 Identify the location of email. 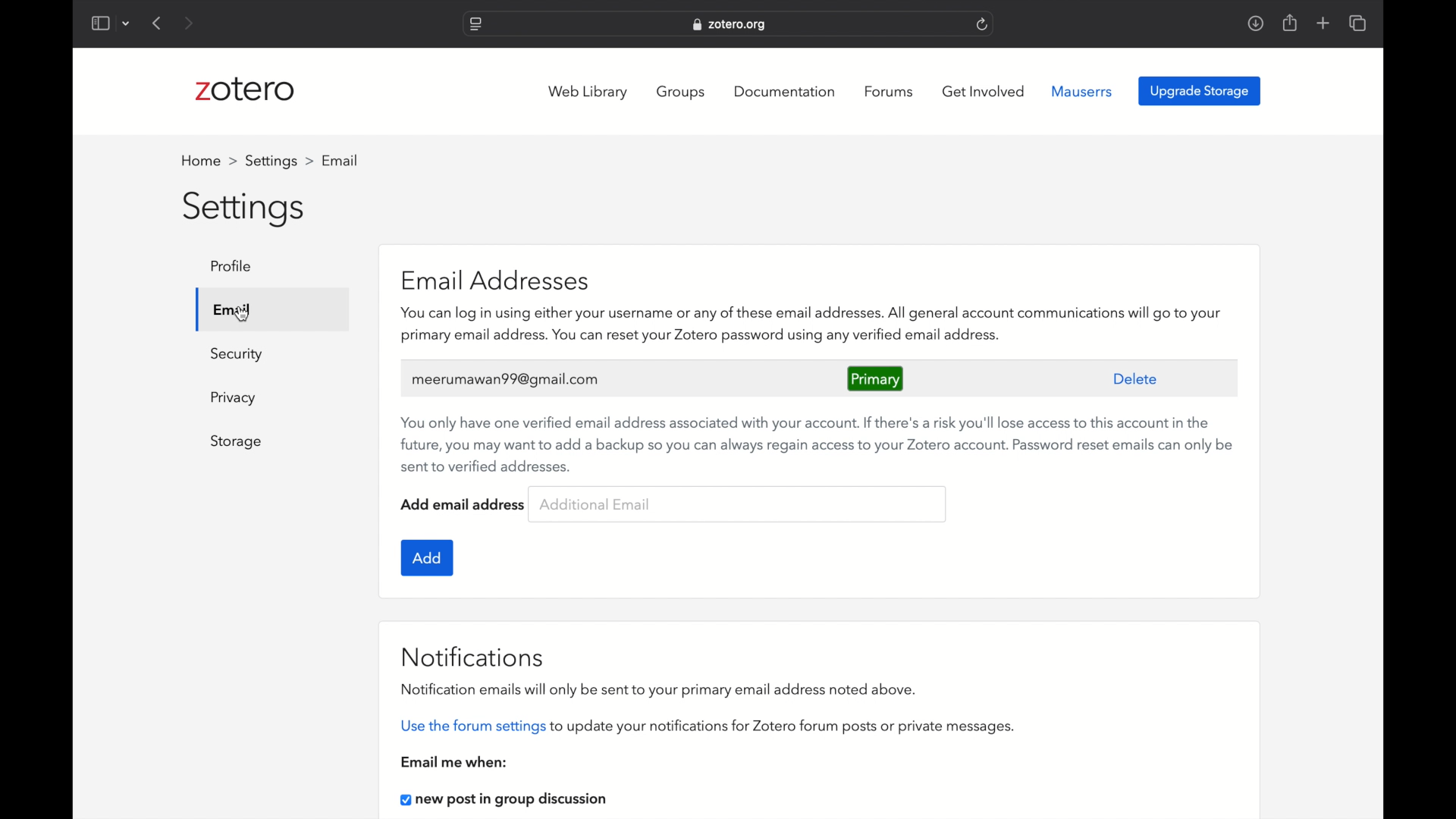
(231, 309).